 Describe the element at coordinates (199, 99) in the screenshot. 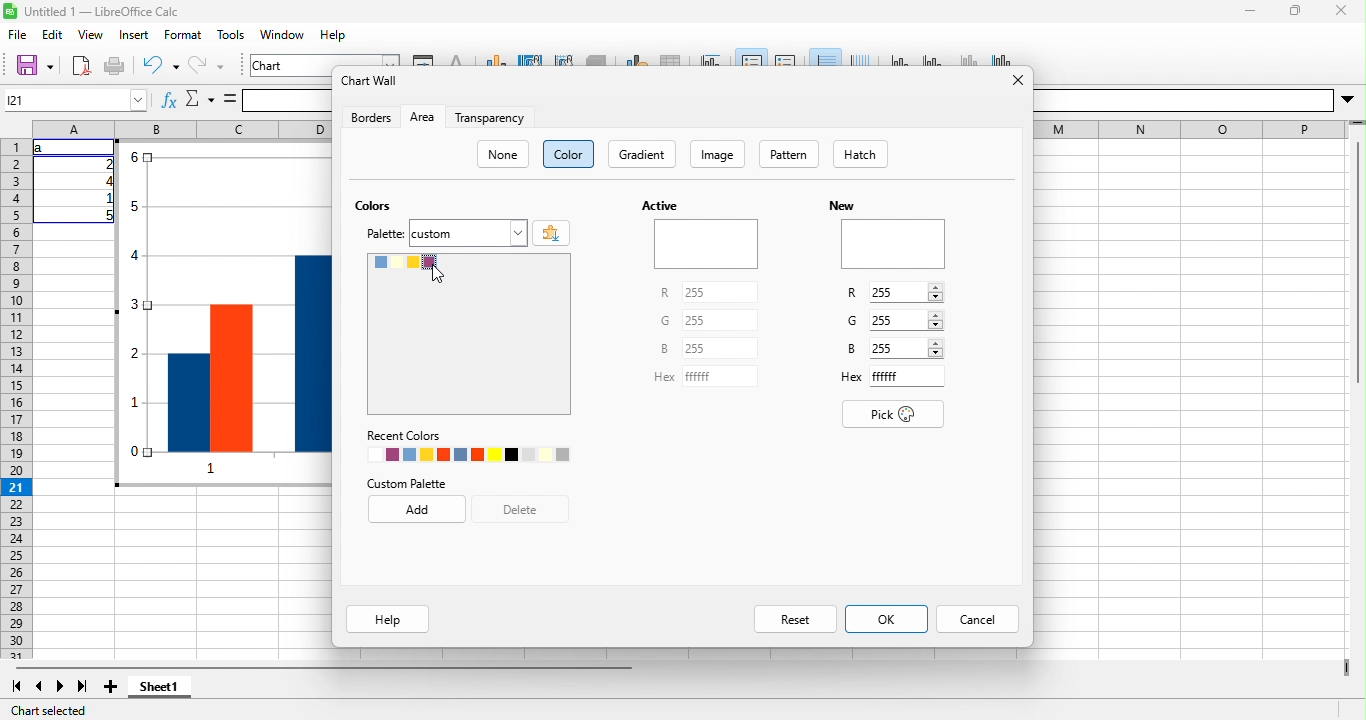

I see `select function` at that location.